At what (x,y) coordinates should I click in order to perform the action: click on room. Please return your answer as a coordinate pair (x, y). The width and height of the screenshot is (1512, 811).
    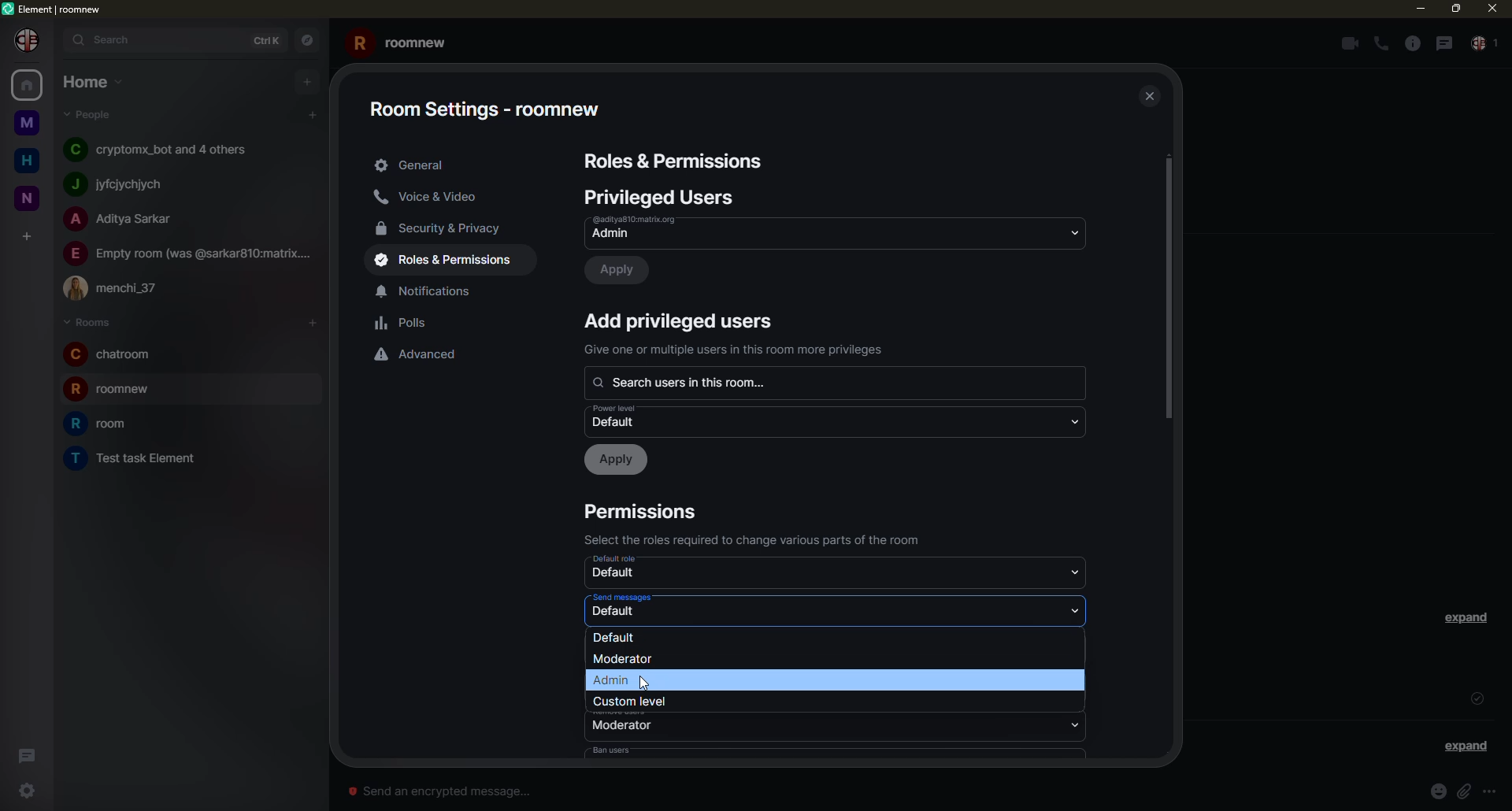
    Looking at the image, I should click on (112, 354).